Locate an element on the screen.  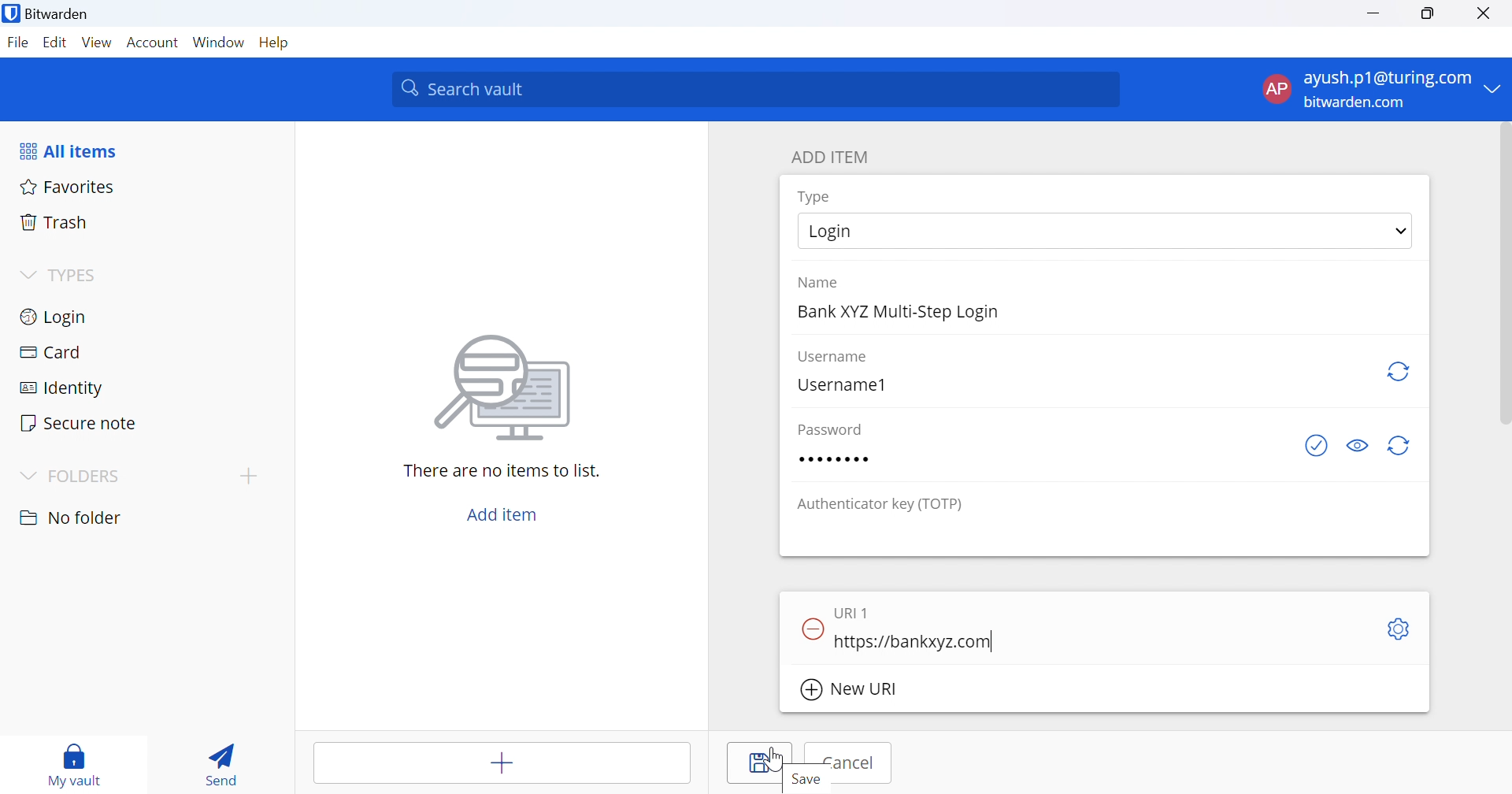
scrollbar is located at coordinates (1503, 276).